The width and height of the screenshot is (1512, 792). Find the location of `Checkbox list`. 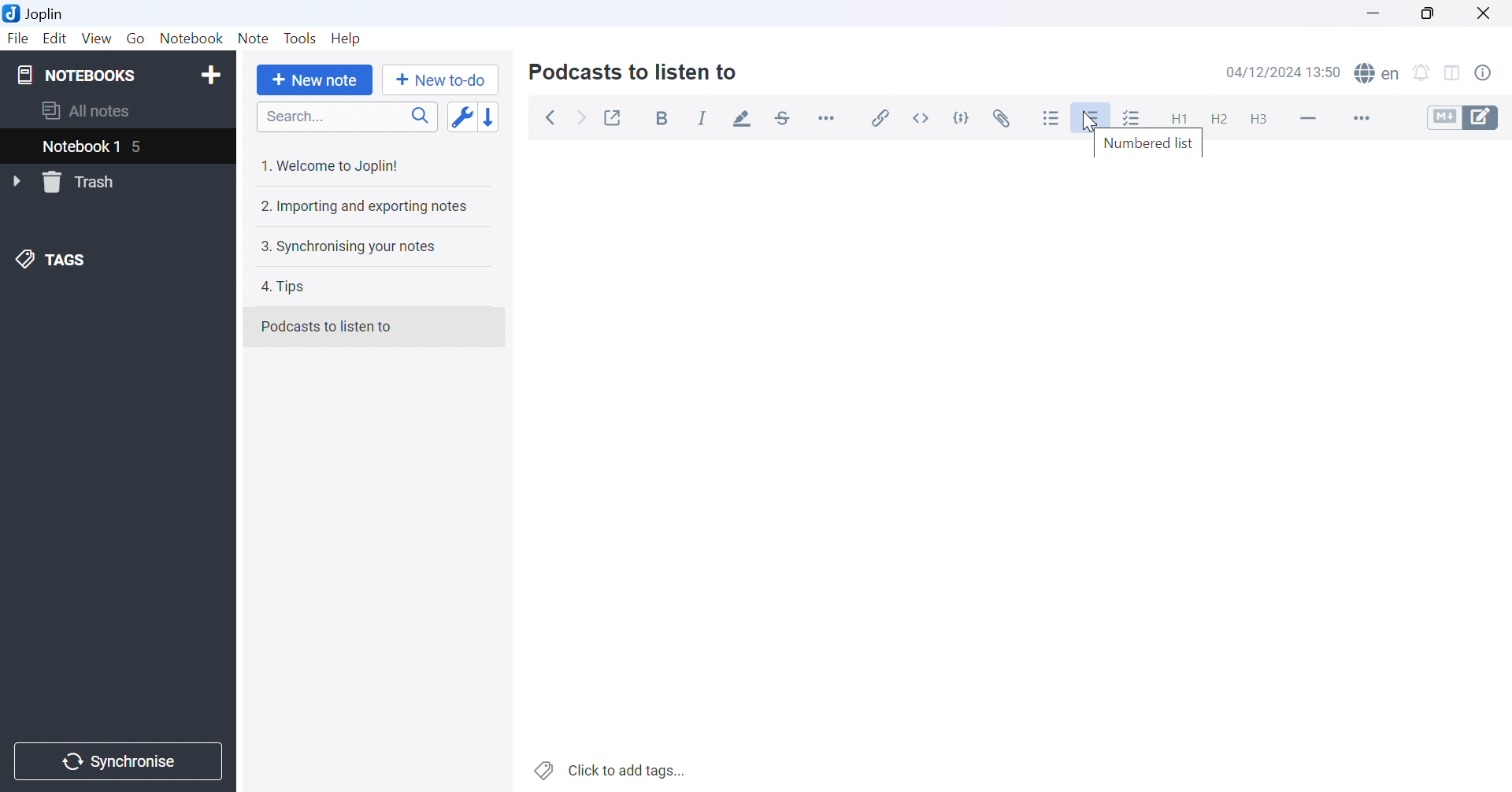

Checkbox list is located at coordinates (1133, 118).